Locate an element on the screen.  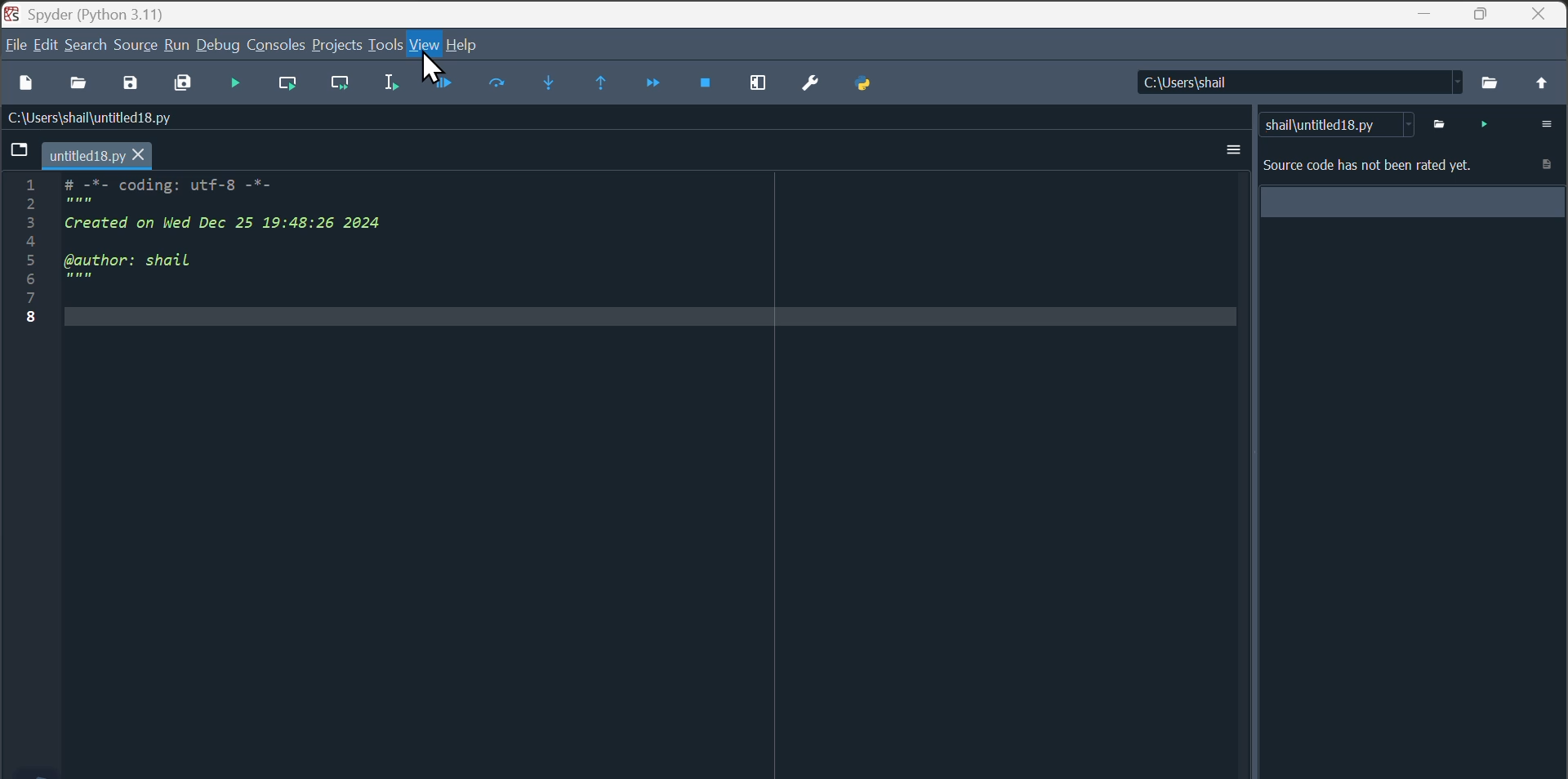
shail\untitled18.py is located at coordinates (1336, 123).